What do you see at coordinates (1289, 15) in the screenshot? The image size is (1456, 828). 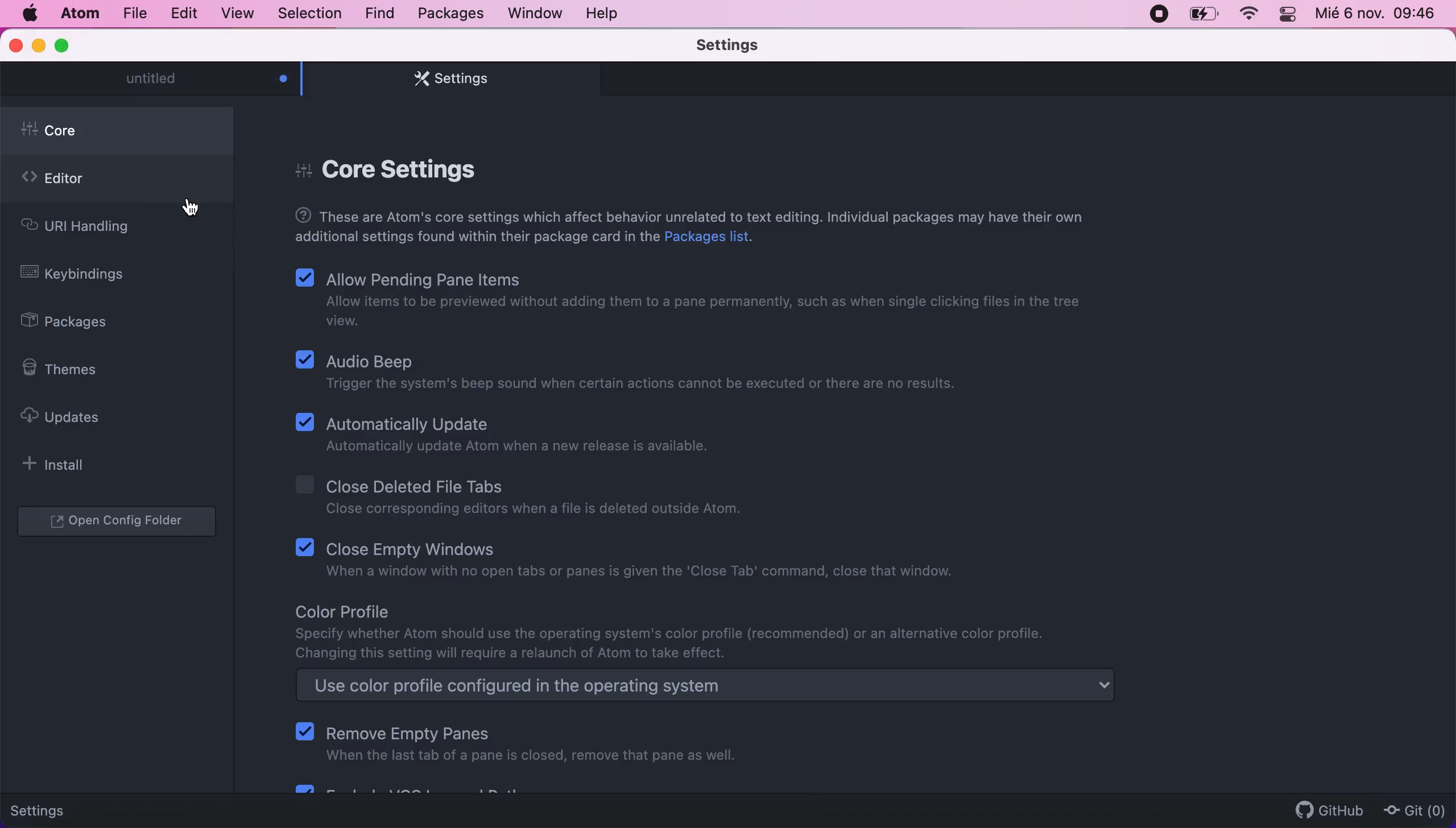 I see `panel control` at bounding box center [1289, 15].